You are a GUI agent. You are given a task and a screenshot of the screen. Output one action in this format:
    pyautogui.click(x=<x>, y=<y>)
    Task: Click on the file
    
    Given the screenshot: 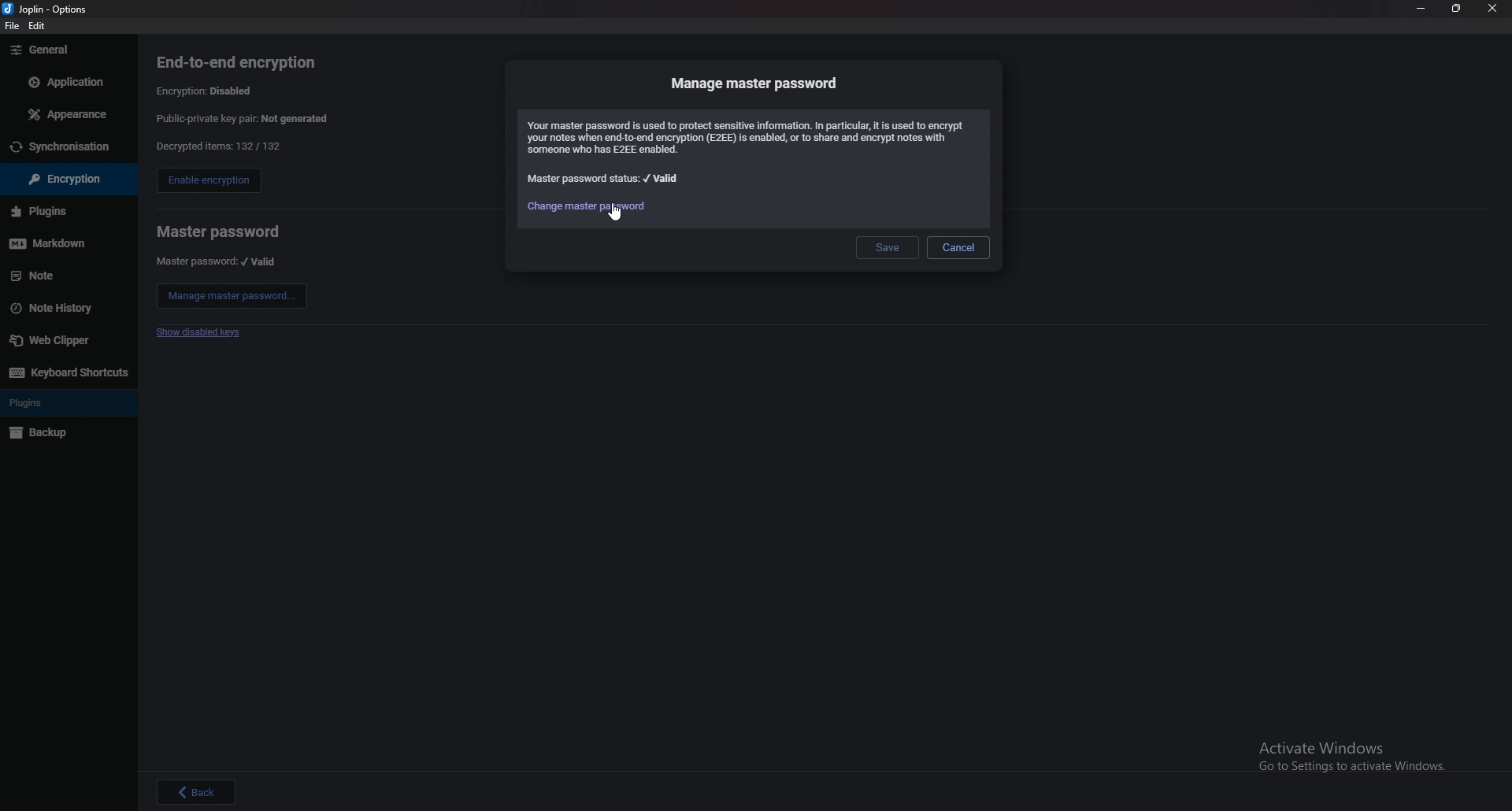 What is the action you would take?
    pyautogui.click(x=13, y=28)
    